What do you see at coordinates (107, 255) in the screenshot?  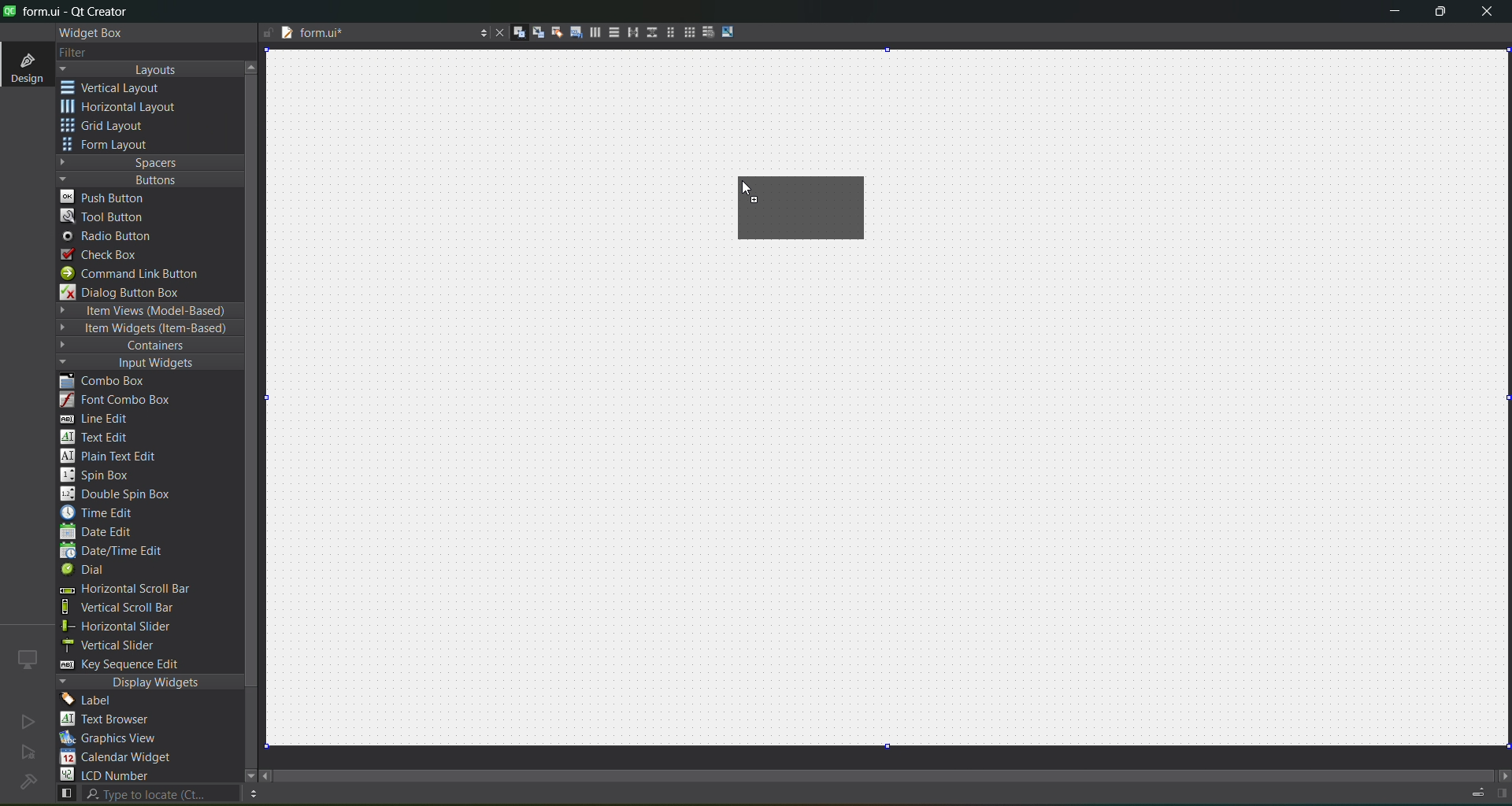 I see `check box` at bounding box center [107, 255].